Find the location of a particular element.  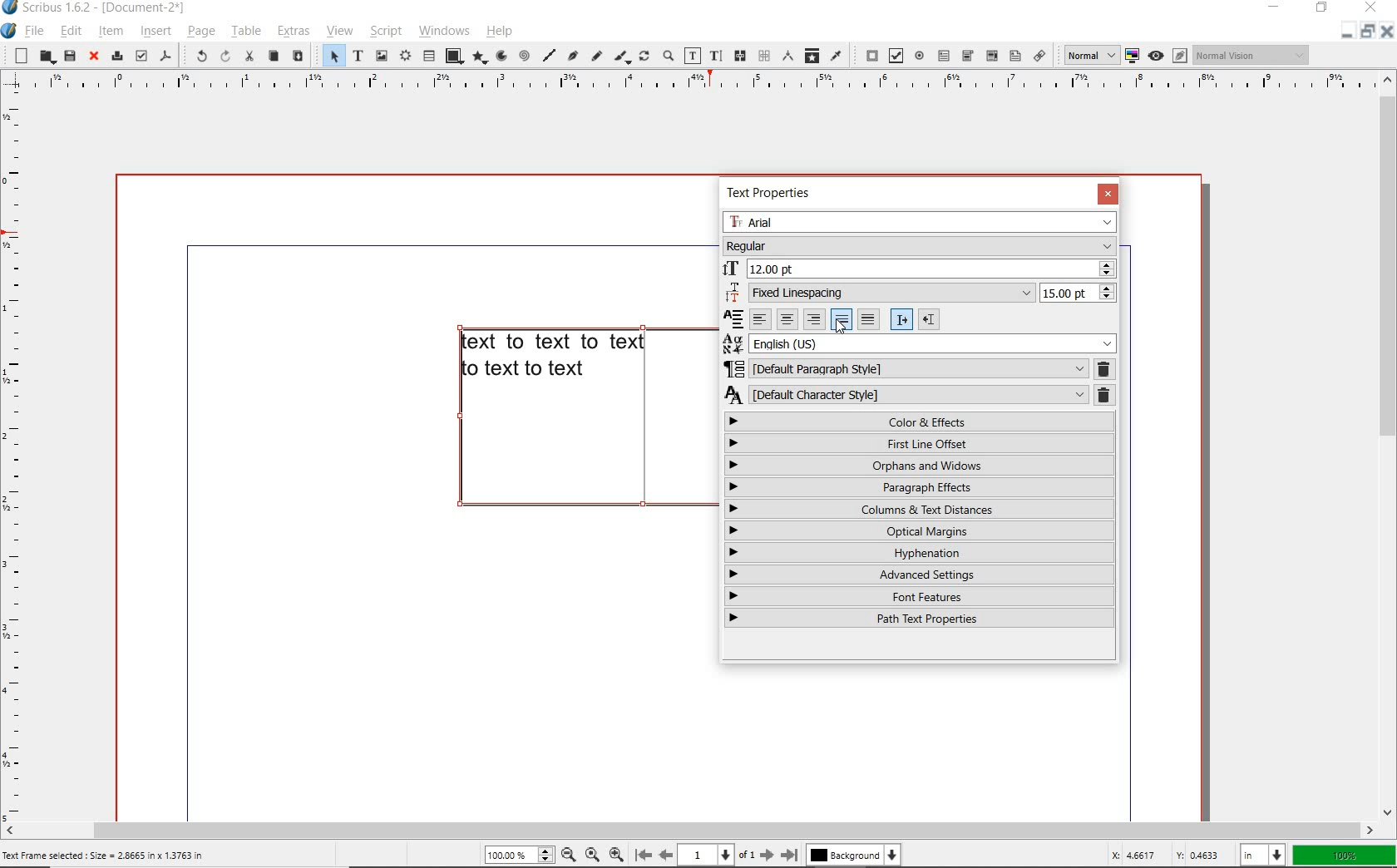

polygon is located at coordinates (477, 57).